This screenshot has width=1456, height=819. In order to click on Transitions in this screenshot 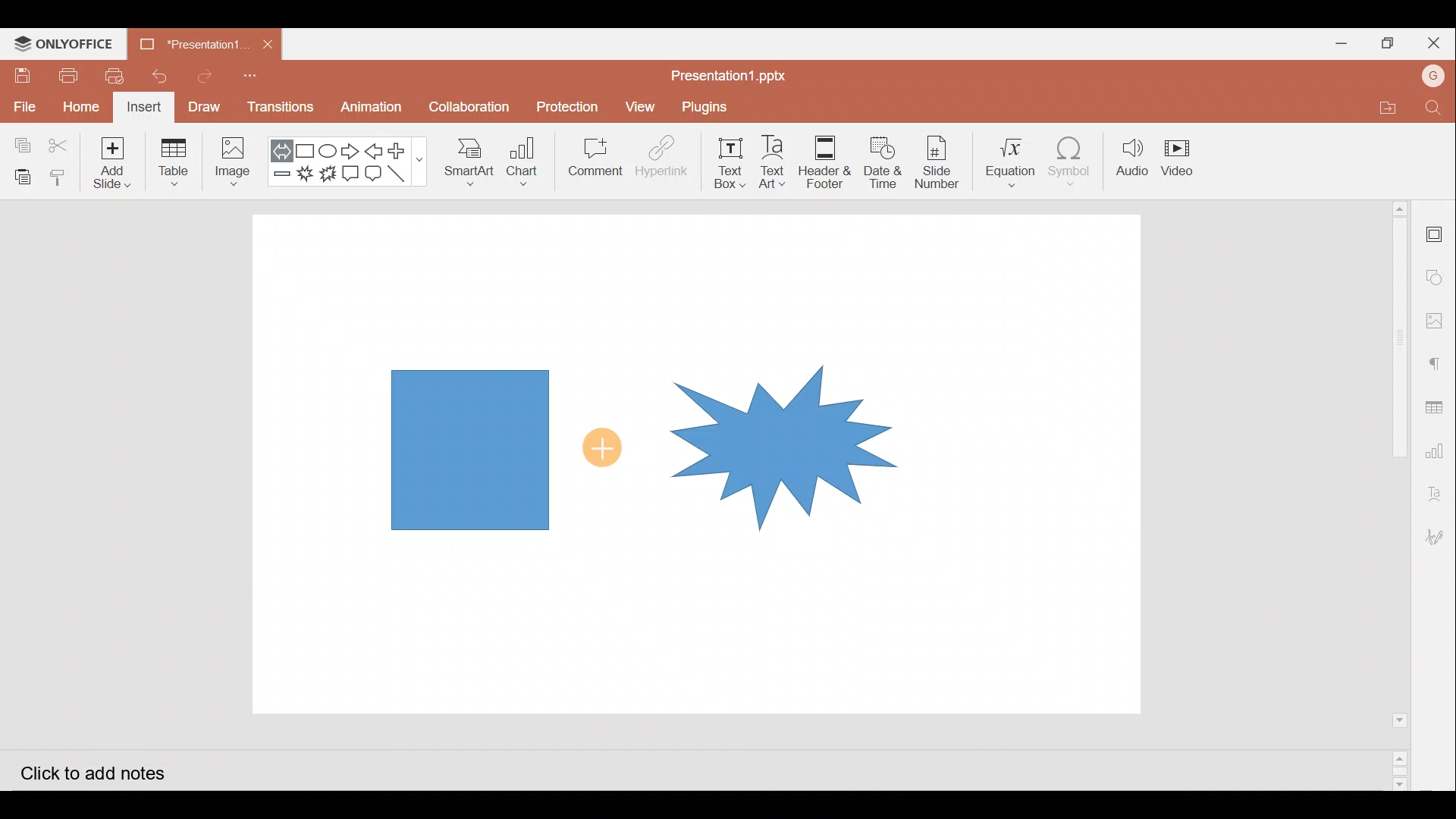, I will do `click(278, 108)`.